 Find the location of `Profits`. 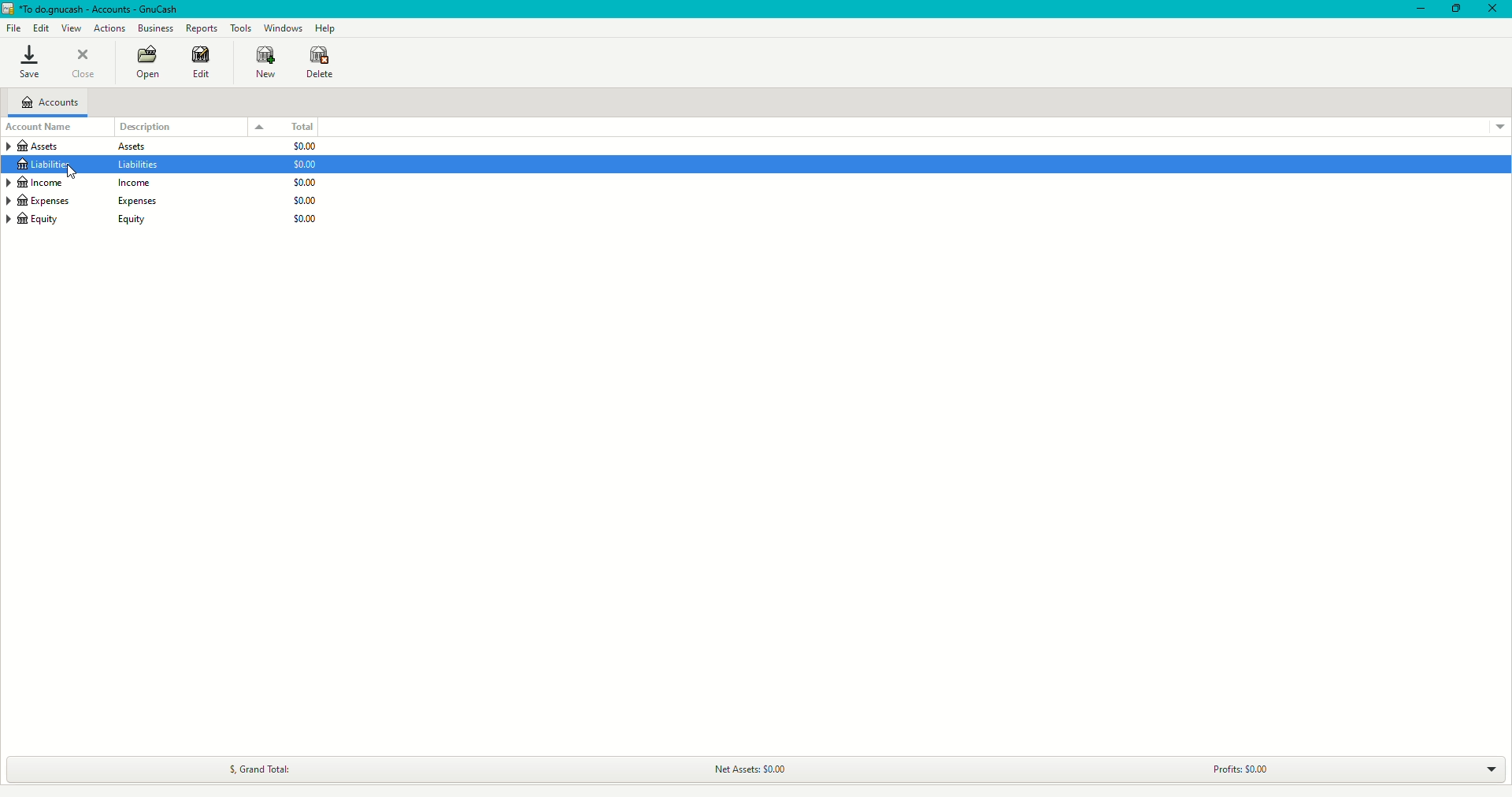

Profits is located at coordinates (1238, 769).